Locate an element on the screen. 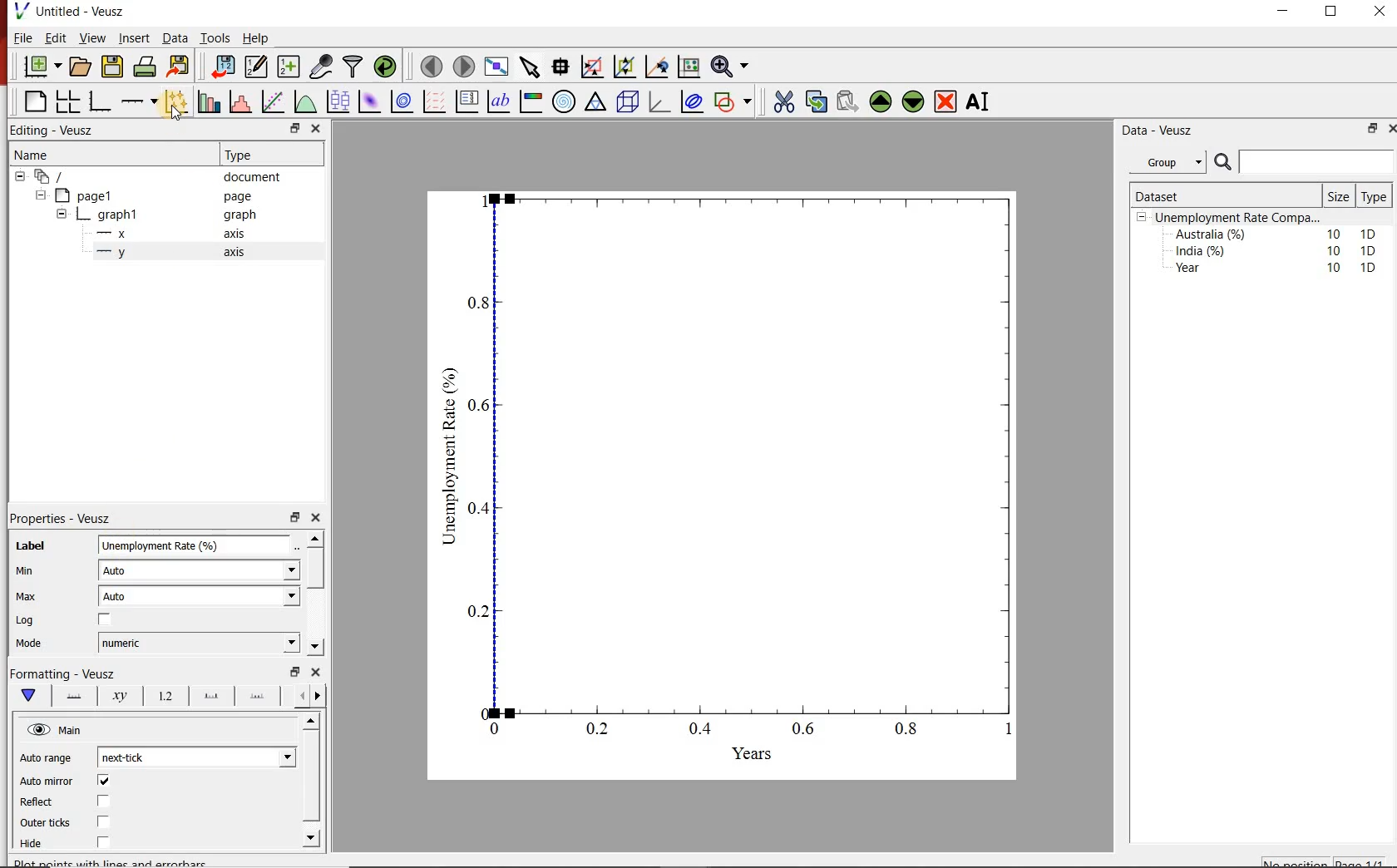 This screenshot has width=1397, height=868. collapse is located at coordinates (19, 176).